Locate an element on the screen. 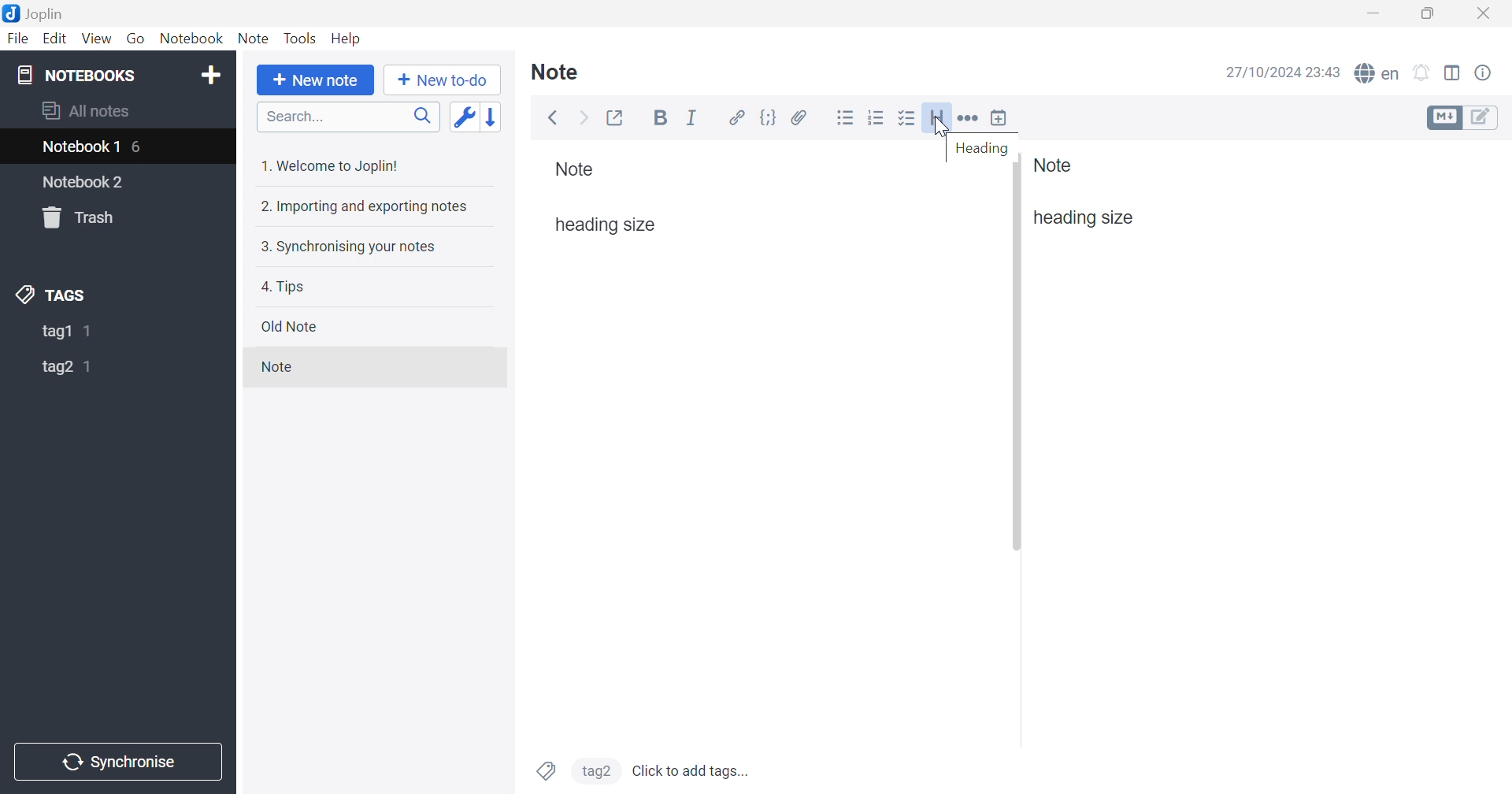 The height and width of the screenshot is (794, 1512). + New note is located at coordinates (313, 82).